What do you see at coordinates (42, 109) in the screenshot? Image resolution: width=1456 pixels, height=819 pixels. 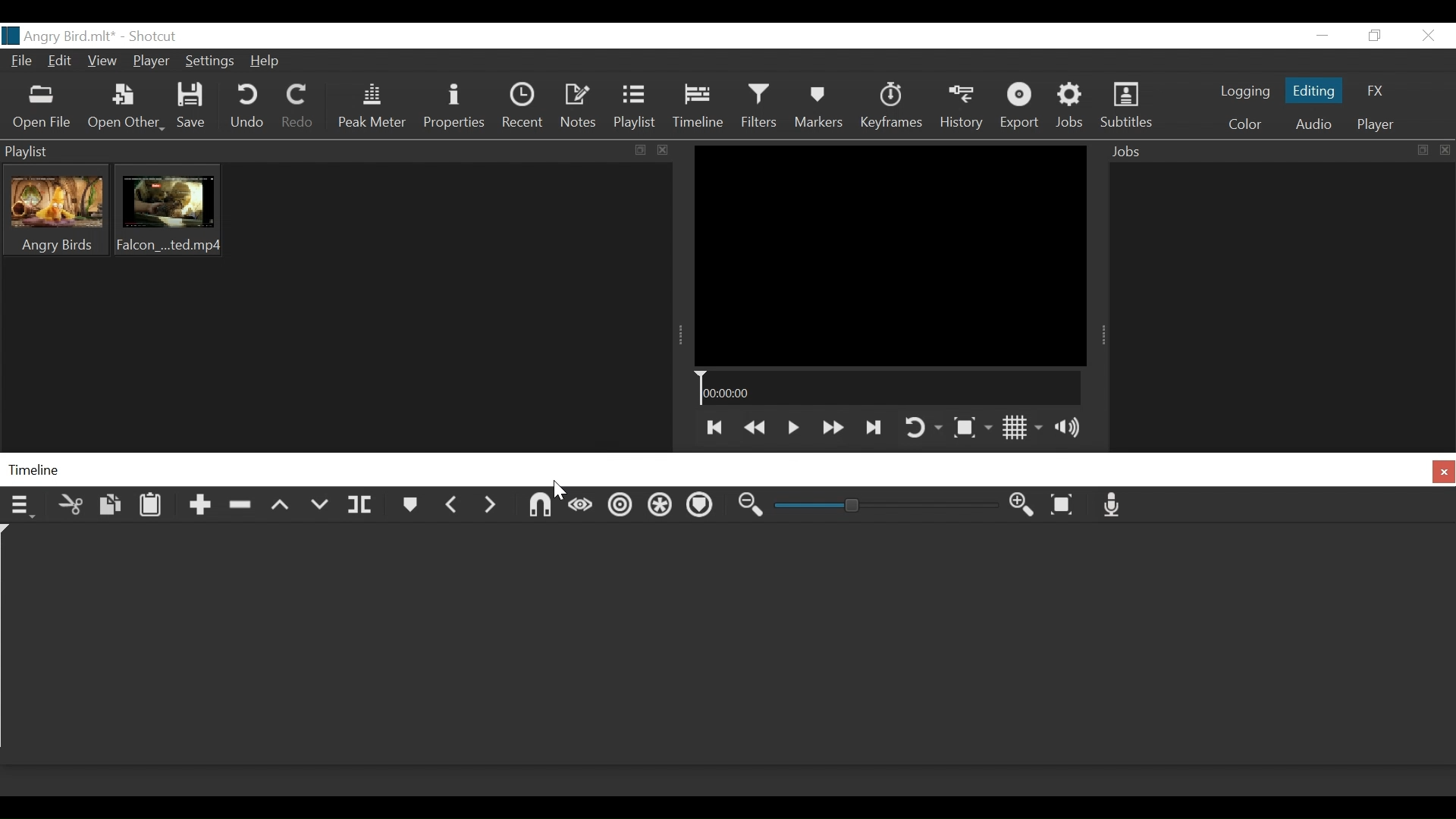 I see `Open File` at bounding box center [42, 109].